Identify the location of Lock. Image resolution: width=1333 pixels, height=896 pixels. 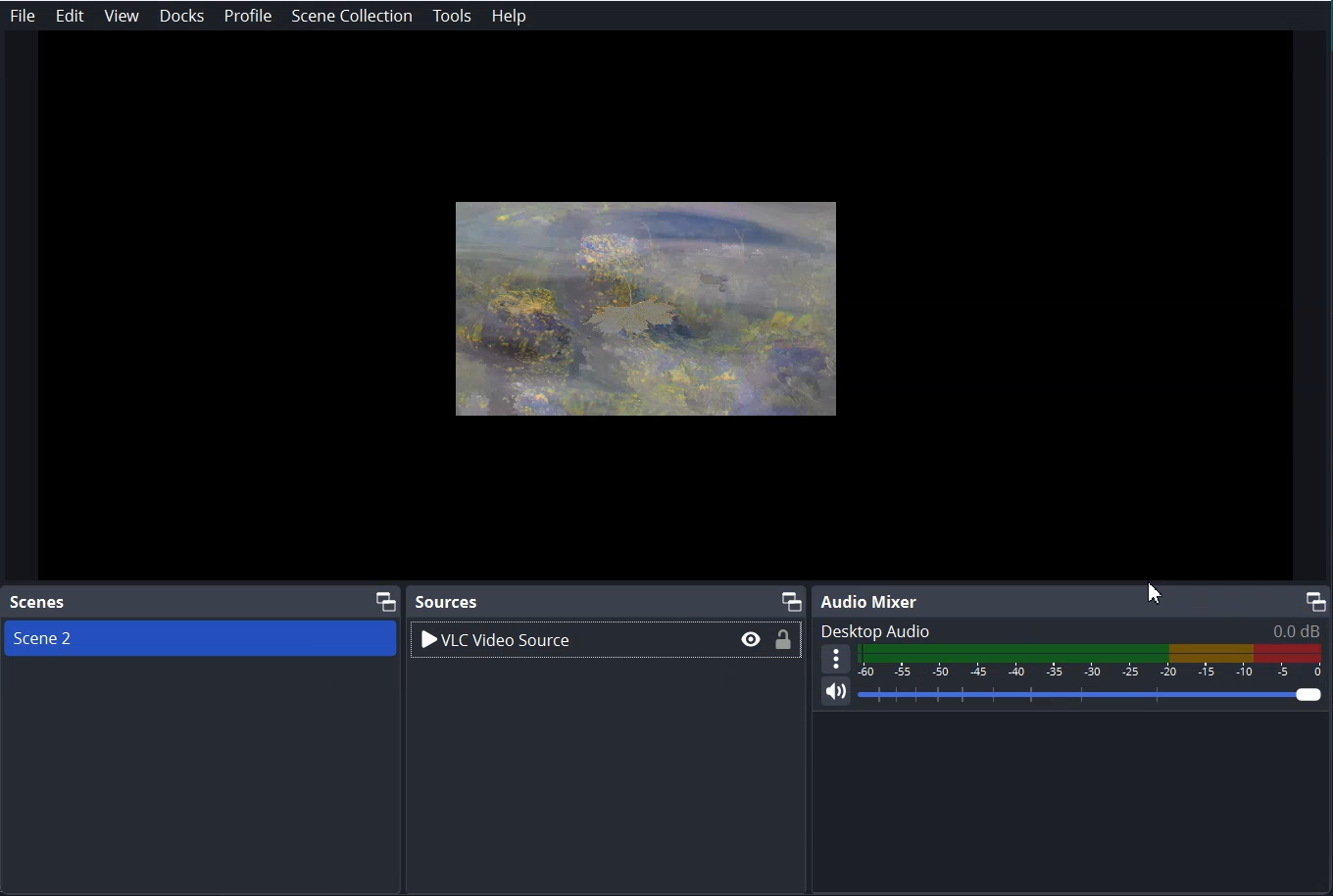
(785, 642).